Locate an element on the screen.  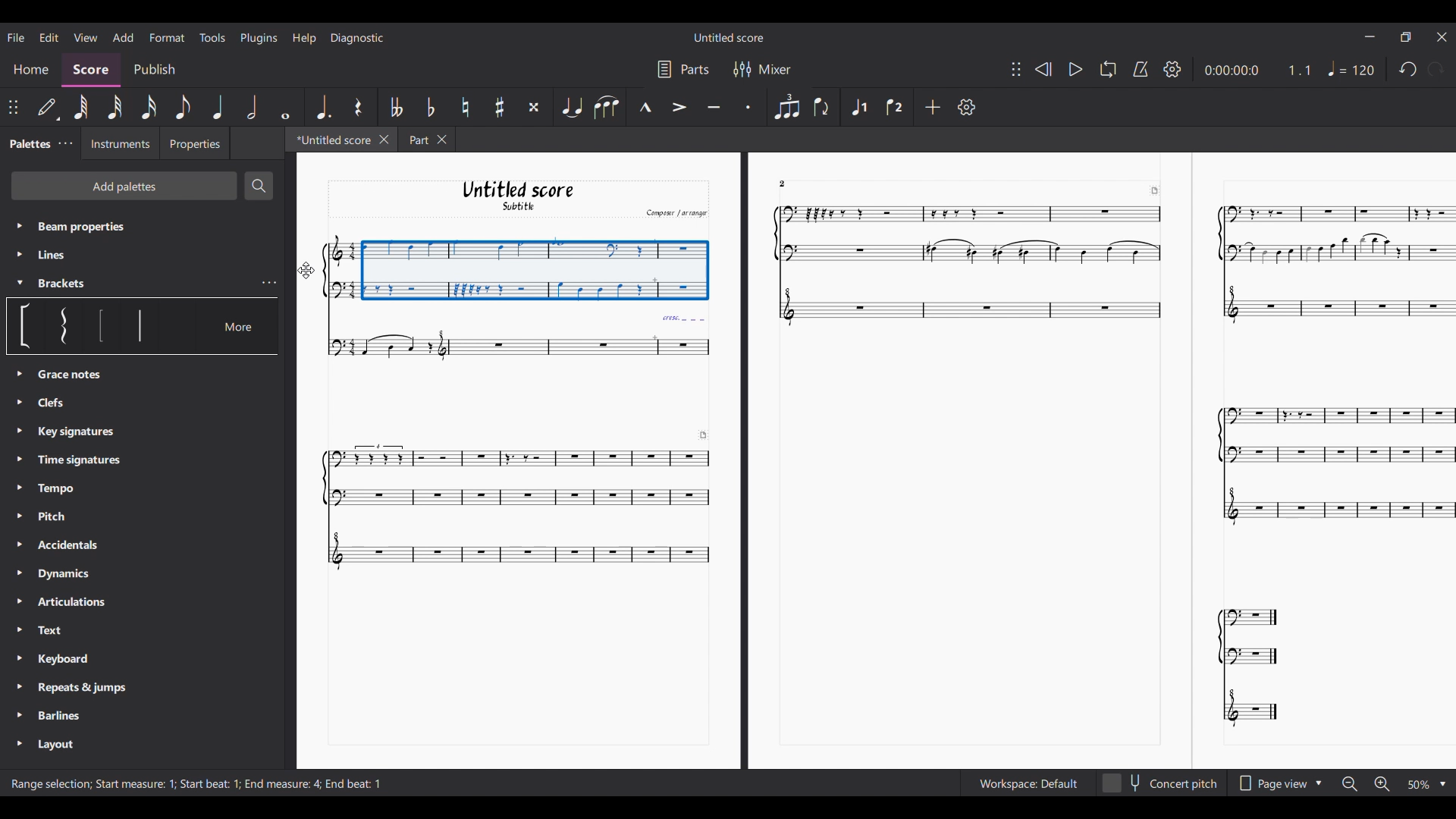
Slur is located at coordinates (607, 107).